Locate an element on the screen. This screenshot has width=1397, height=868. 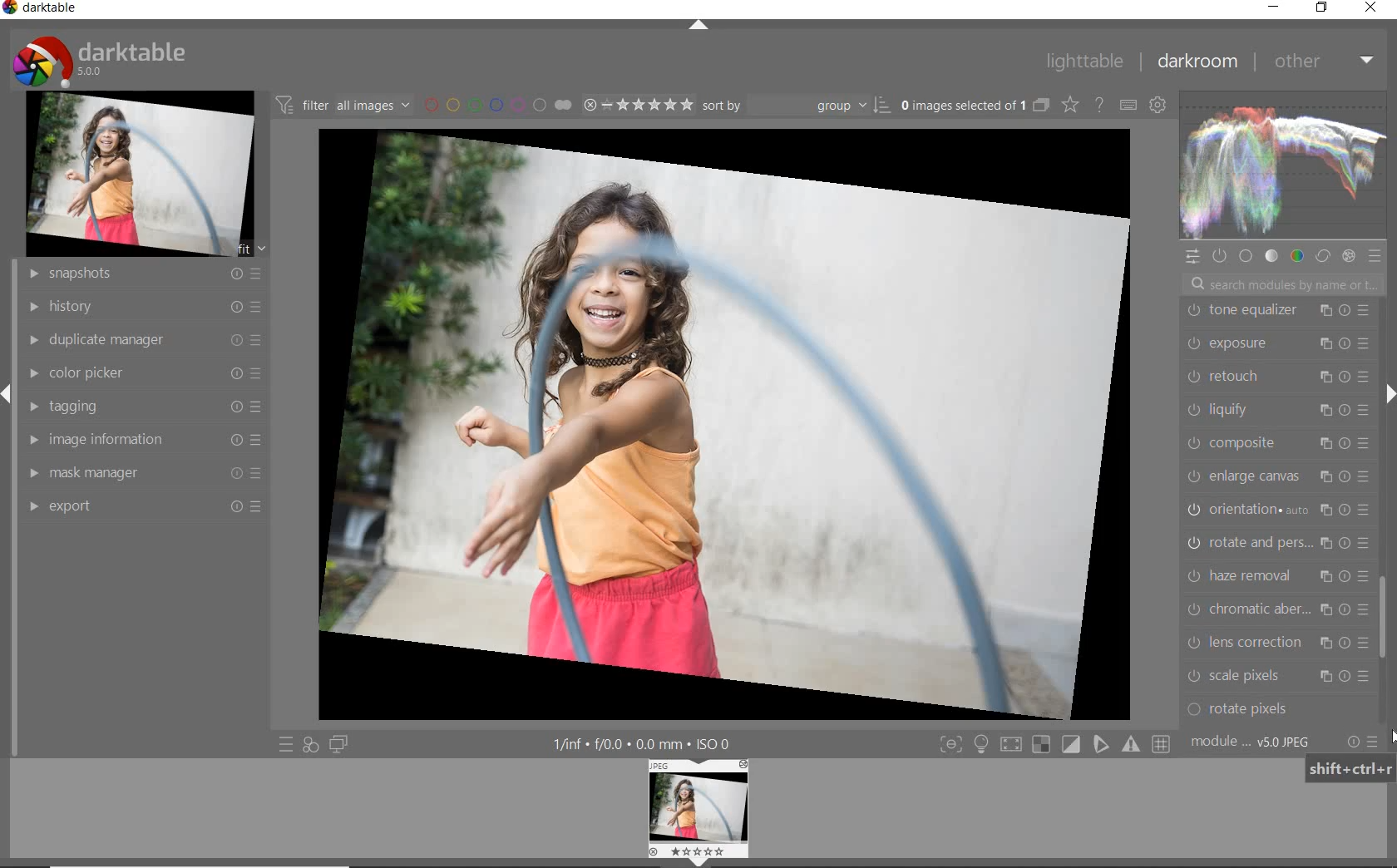
selected image range rating is located at coordinates (635, 105).